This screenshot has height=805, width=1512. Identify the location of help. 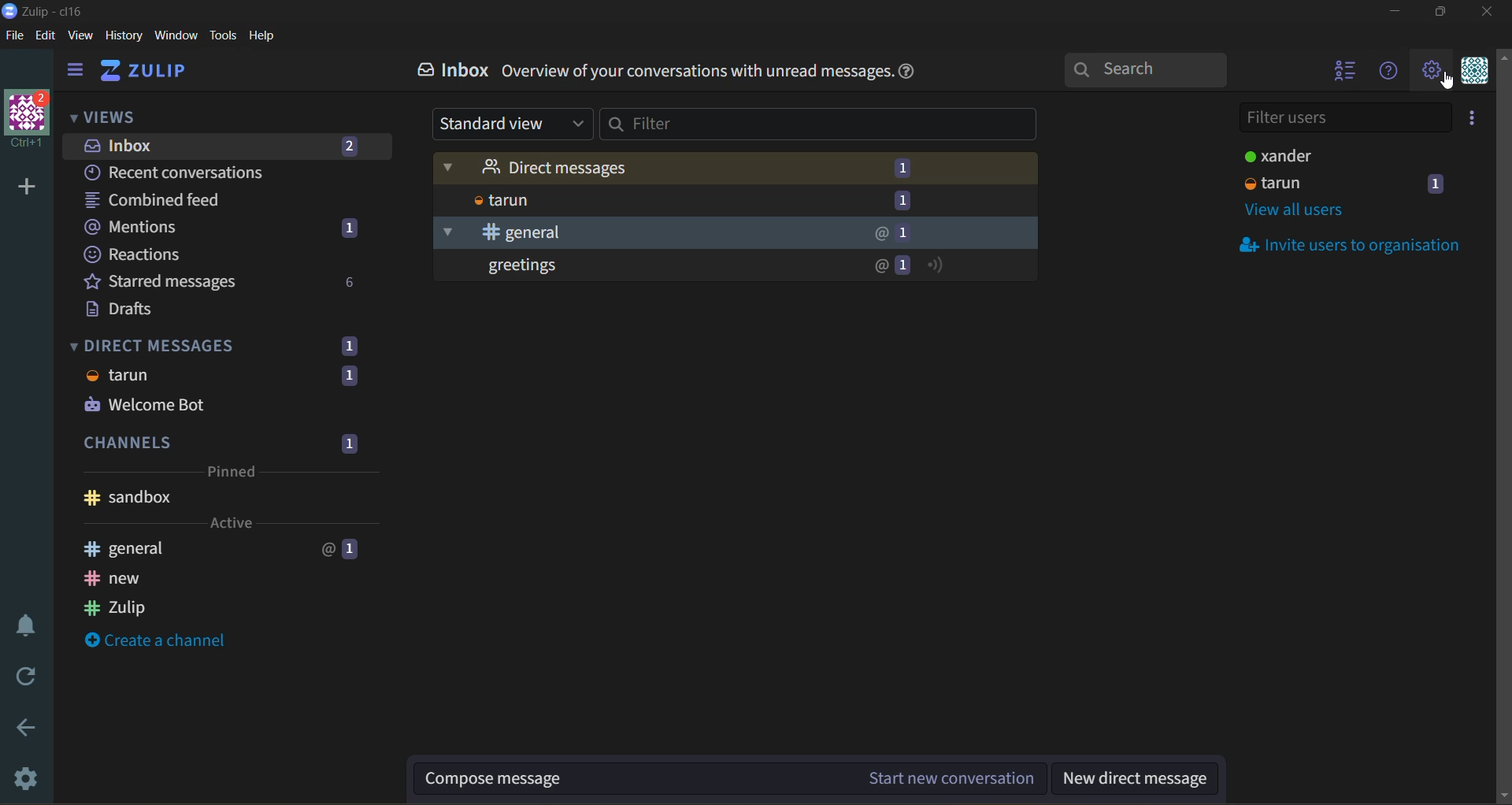
(269, 37).